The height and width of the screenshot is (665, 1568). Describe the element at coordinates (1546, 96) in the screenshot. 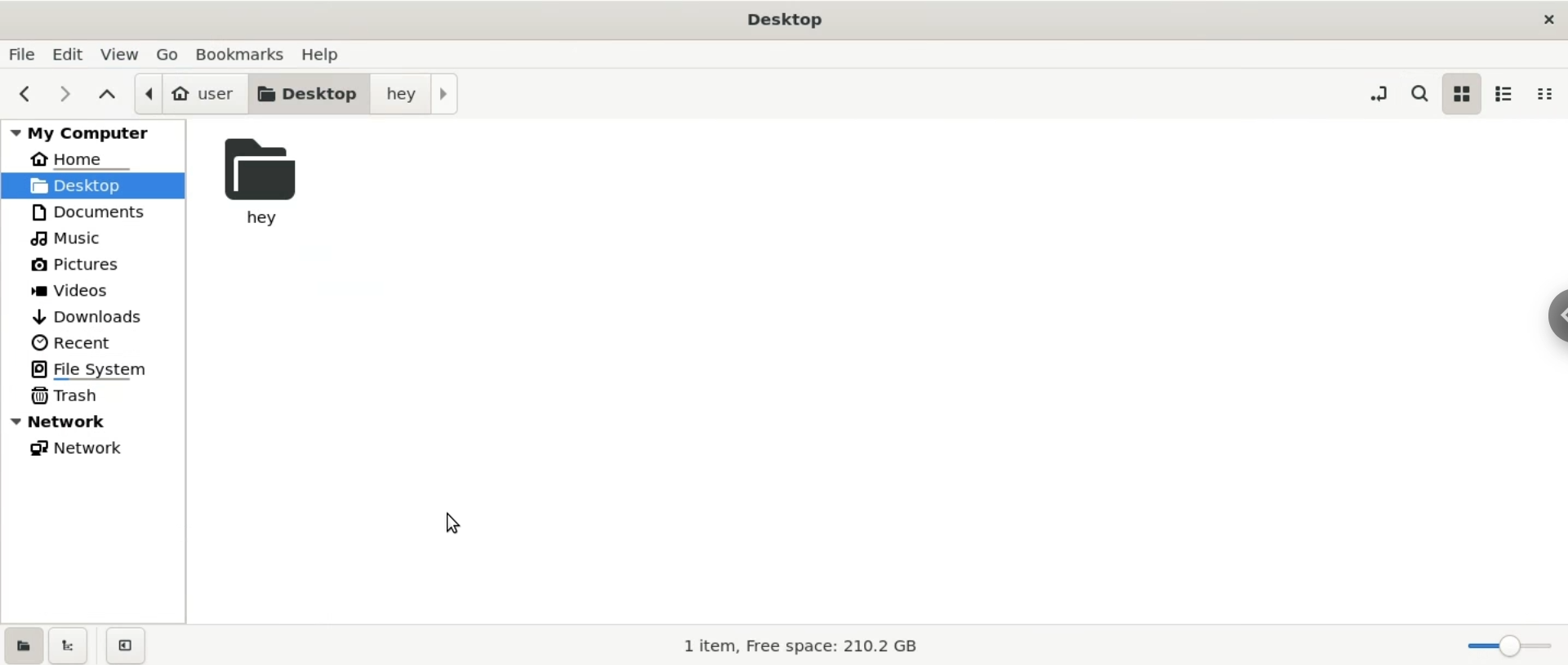

I see `compact view` at that location.